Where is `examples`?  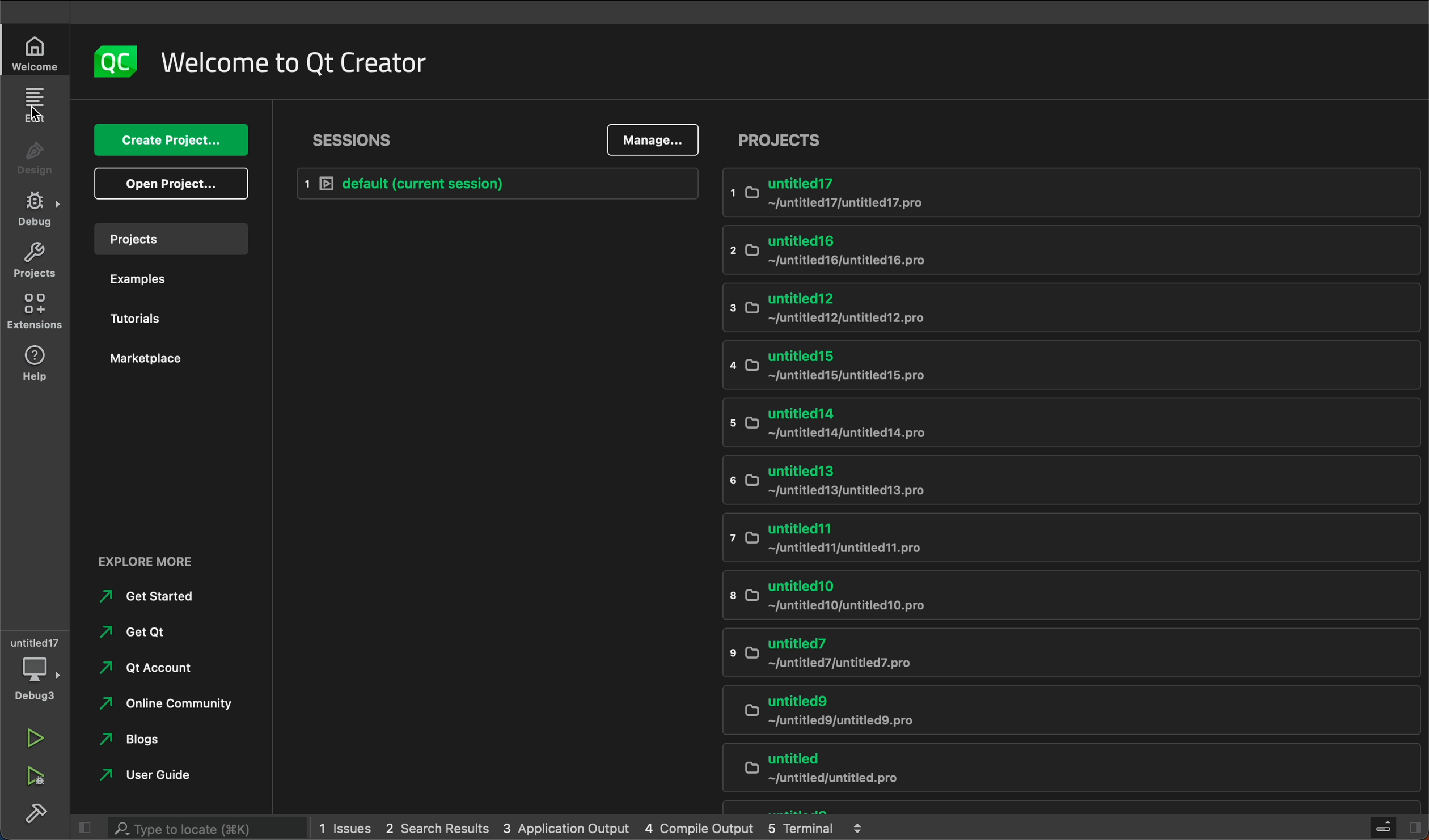
examples is located at coordinates (176, 282).